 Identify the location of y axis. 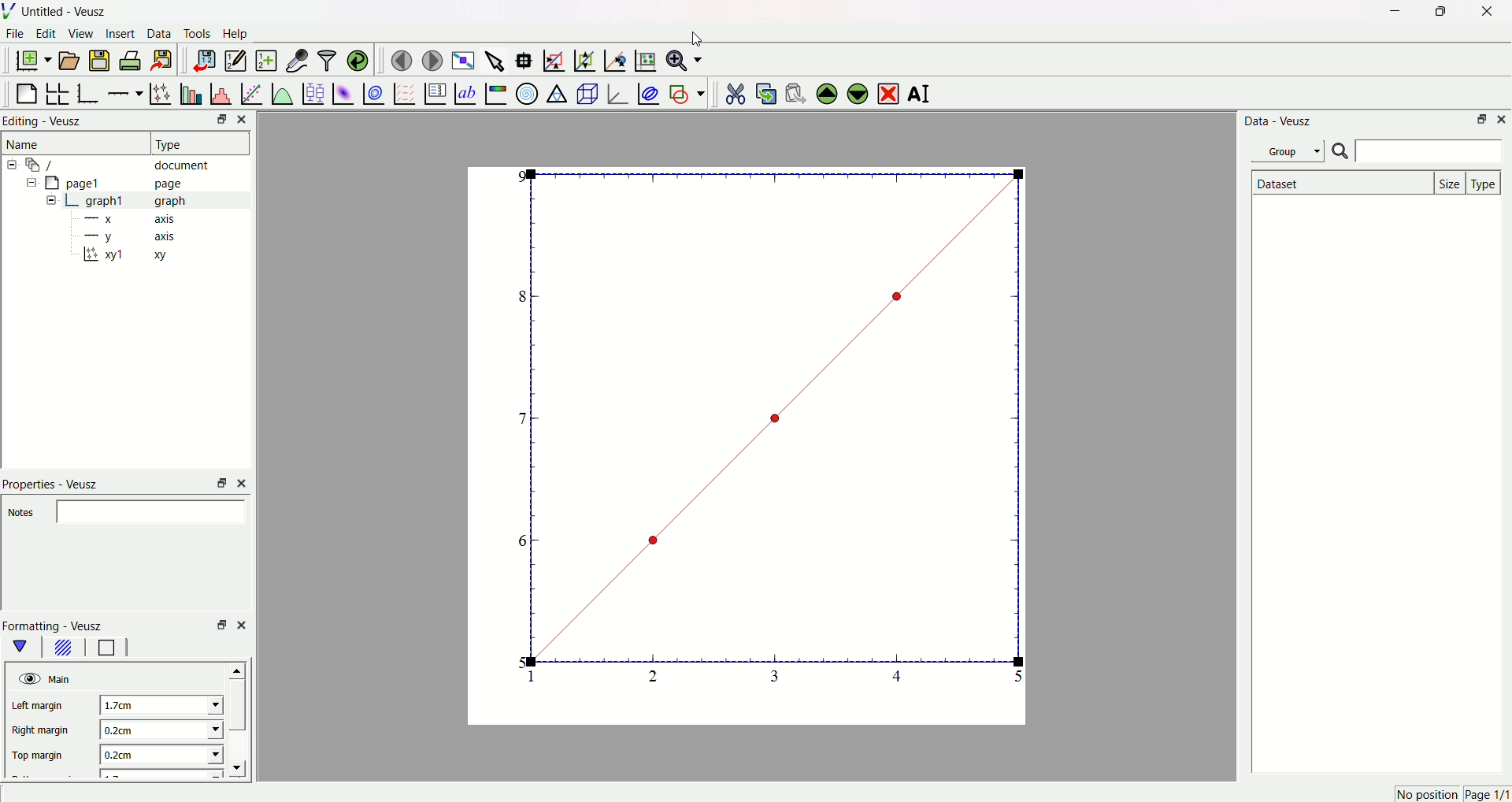
(135, 236).